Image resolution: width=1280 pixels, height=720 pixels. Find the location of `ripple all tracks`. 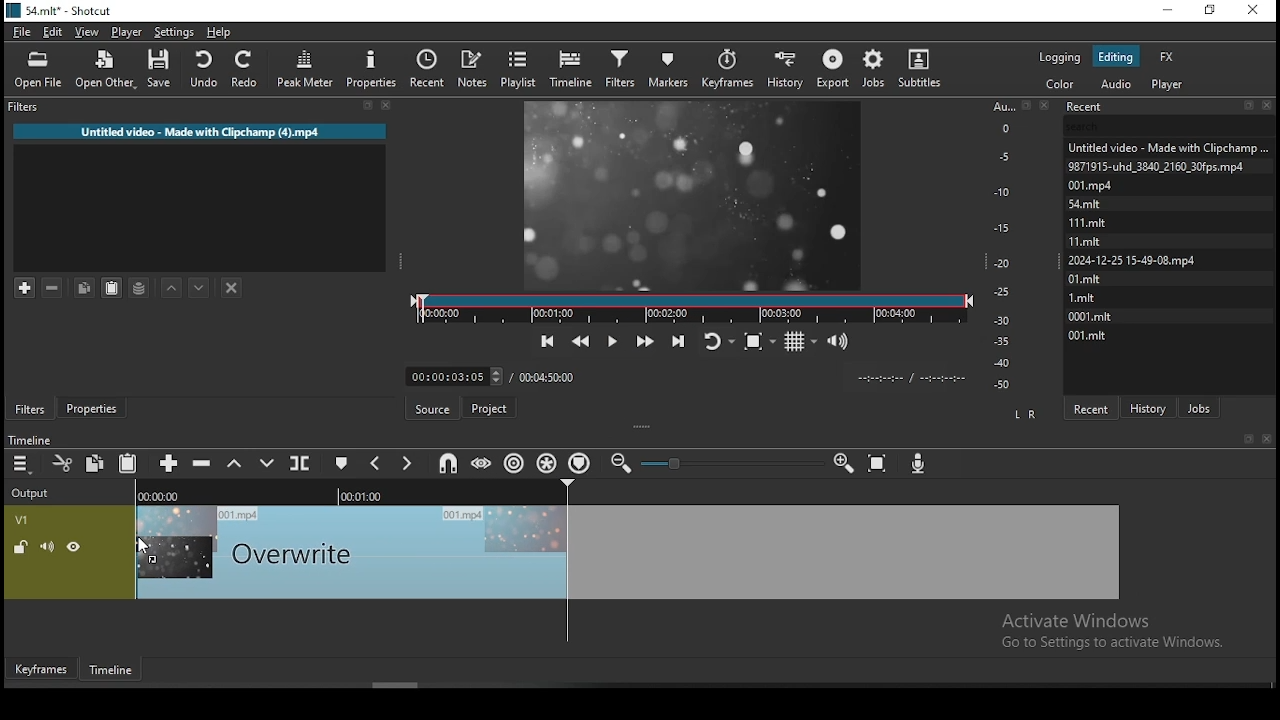

ripple all tracks is located at coordinates (545, 460).